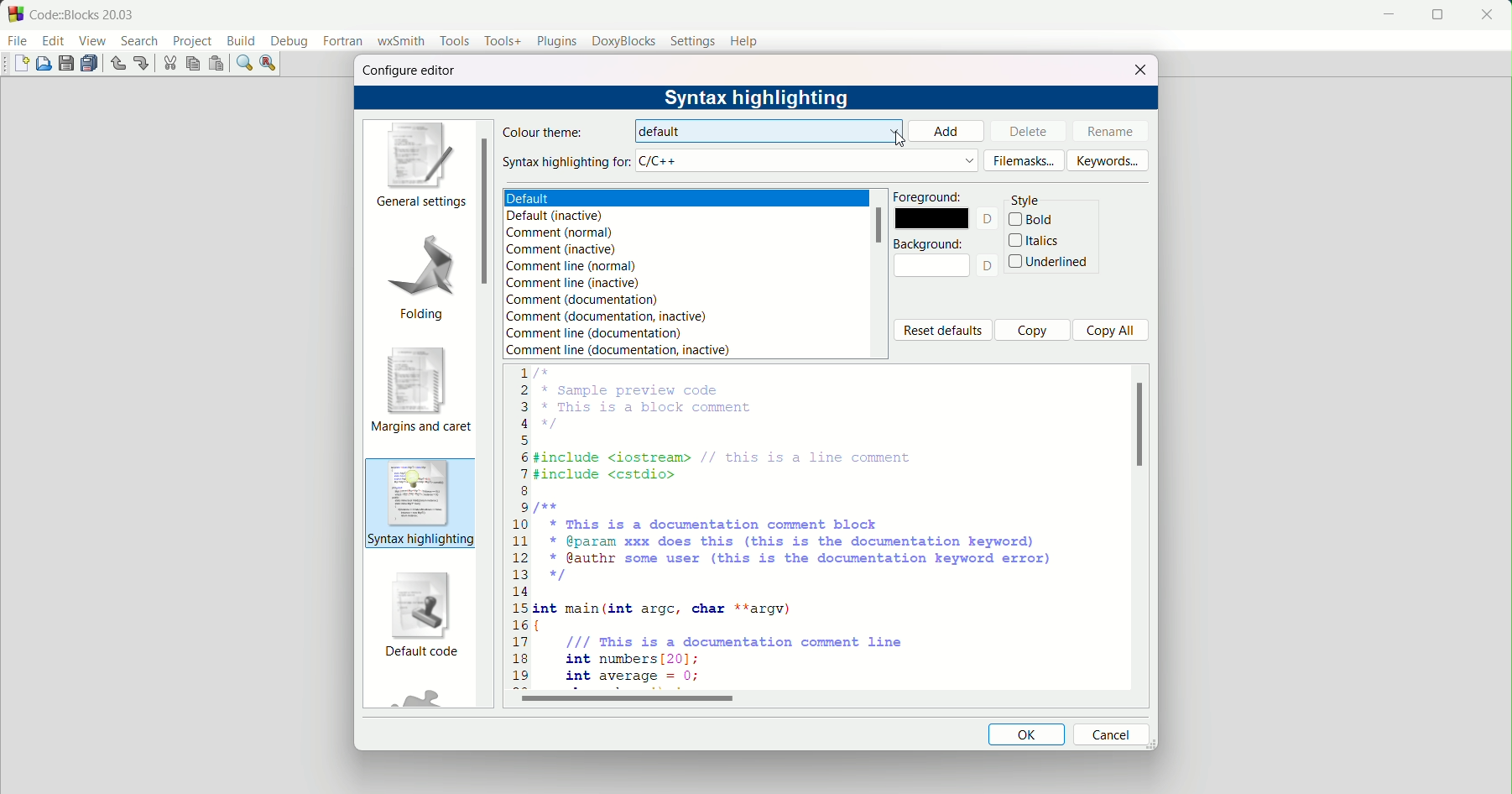 The image size is (1512, 794). What do you see at coordinates (420, 391) in the screenshot?
I see `margins and caret` at bounding box center [420, 391].